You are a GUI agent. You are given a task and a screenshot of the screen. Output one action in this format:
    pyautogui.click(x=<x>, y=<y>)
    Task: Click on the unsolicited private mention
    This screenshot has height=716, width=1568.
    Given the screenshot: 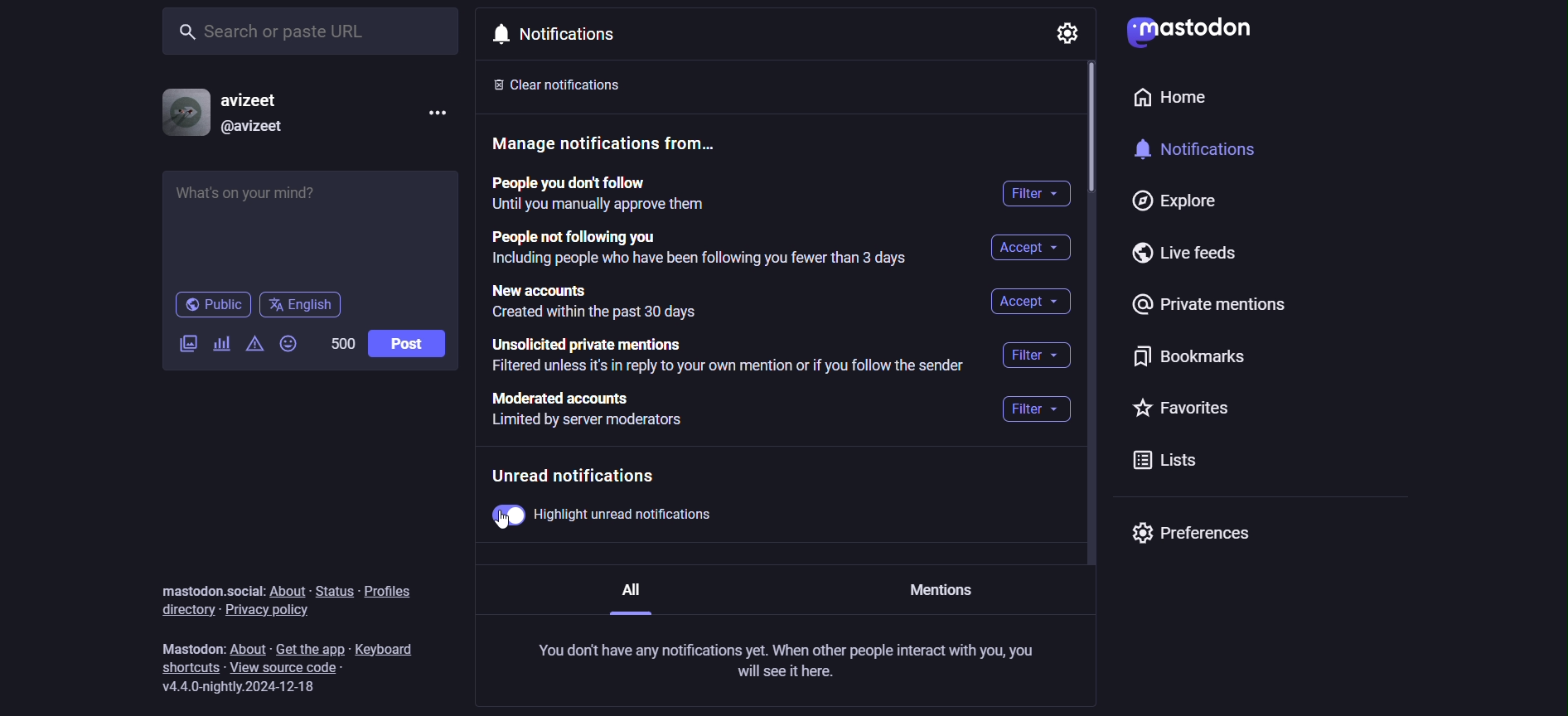 What is the action you would take?
    pyautogui.click(x=732, y=357)
    